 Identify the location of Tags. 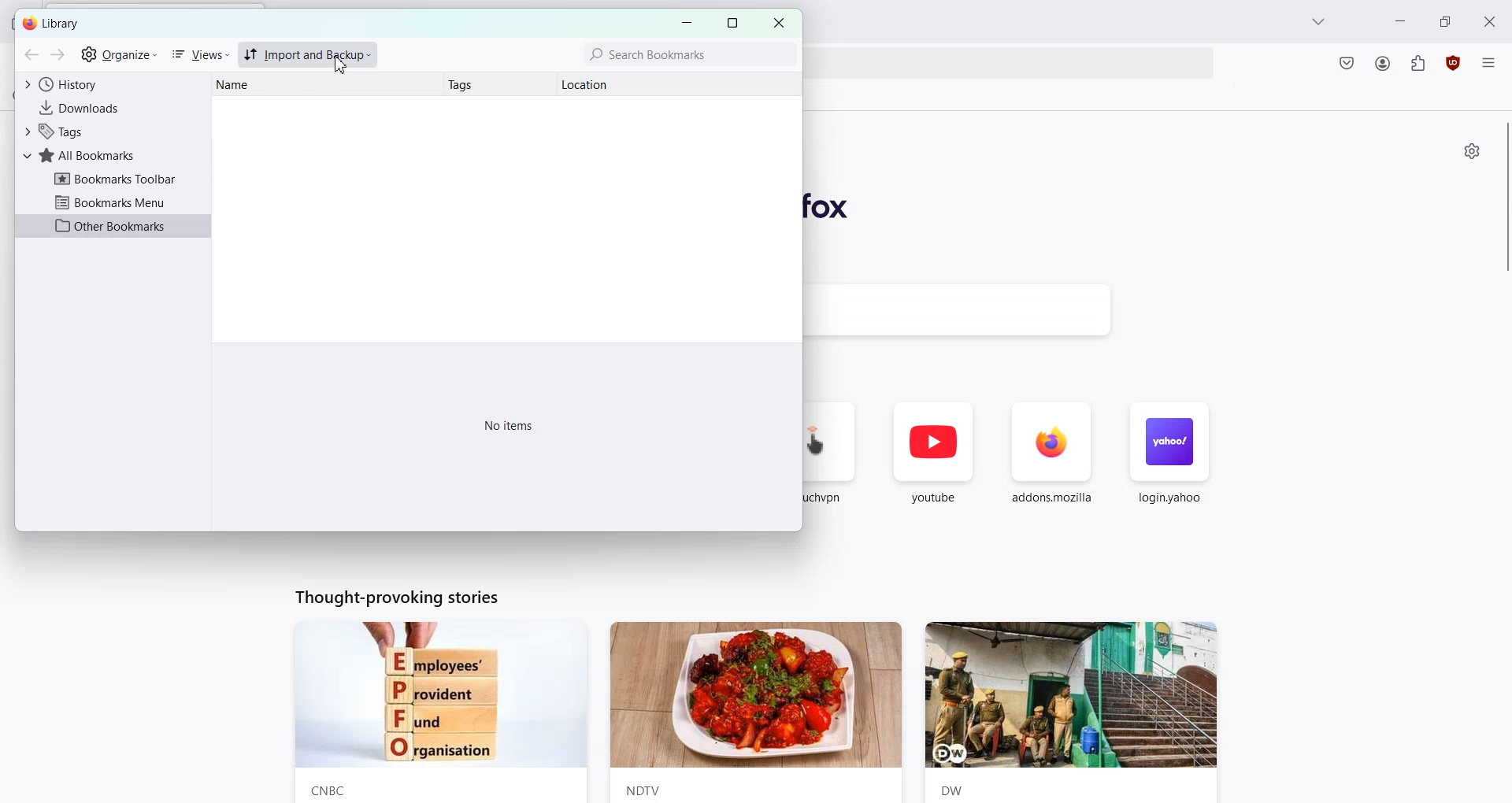
(485, 84).